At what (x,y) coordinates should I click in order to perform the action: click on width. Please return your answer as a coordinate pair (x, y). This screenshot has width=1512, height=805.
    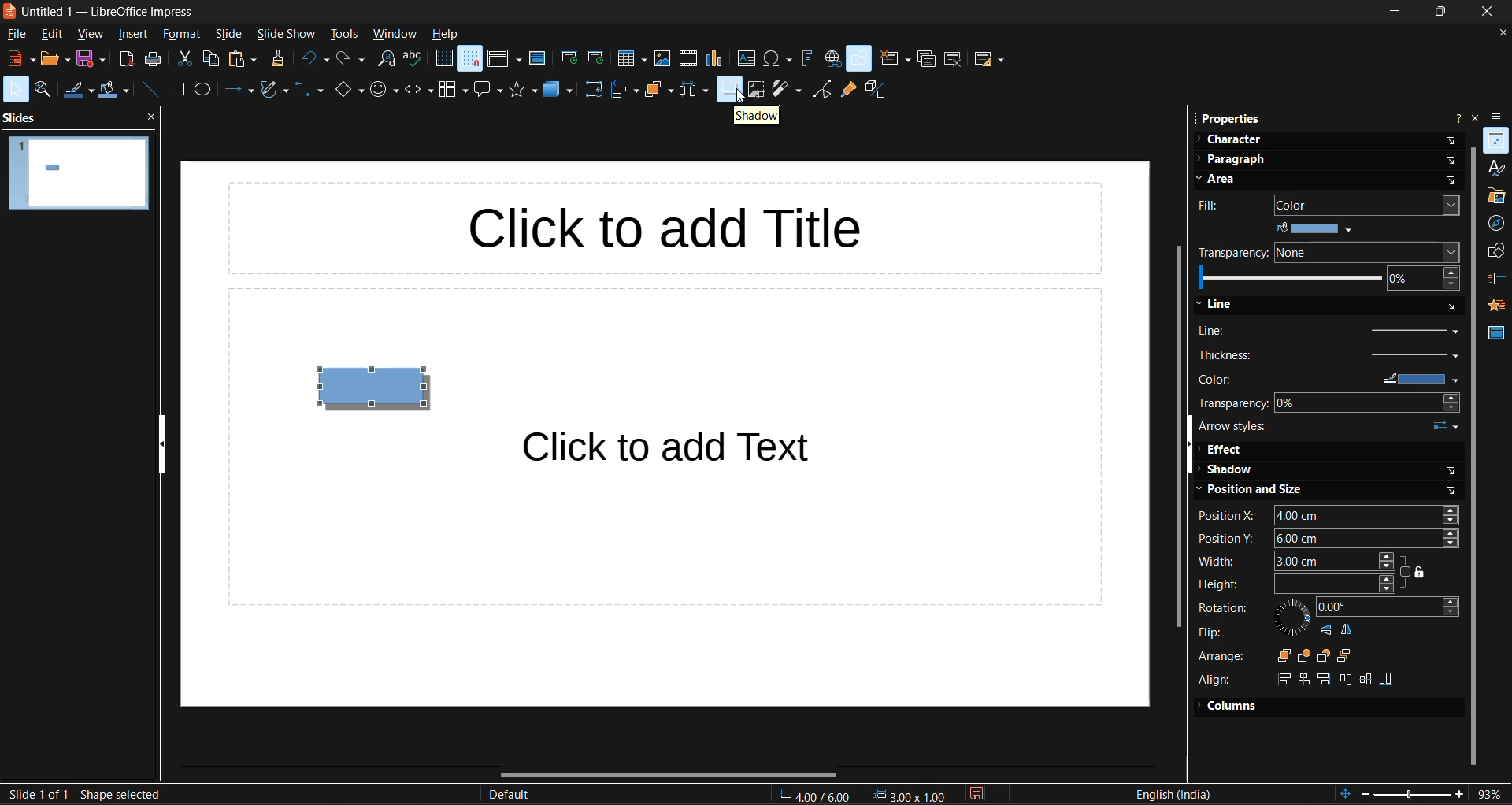
    Looking at the image, I should click on (1300, 560).